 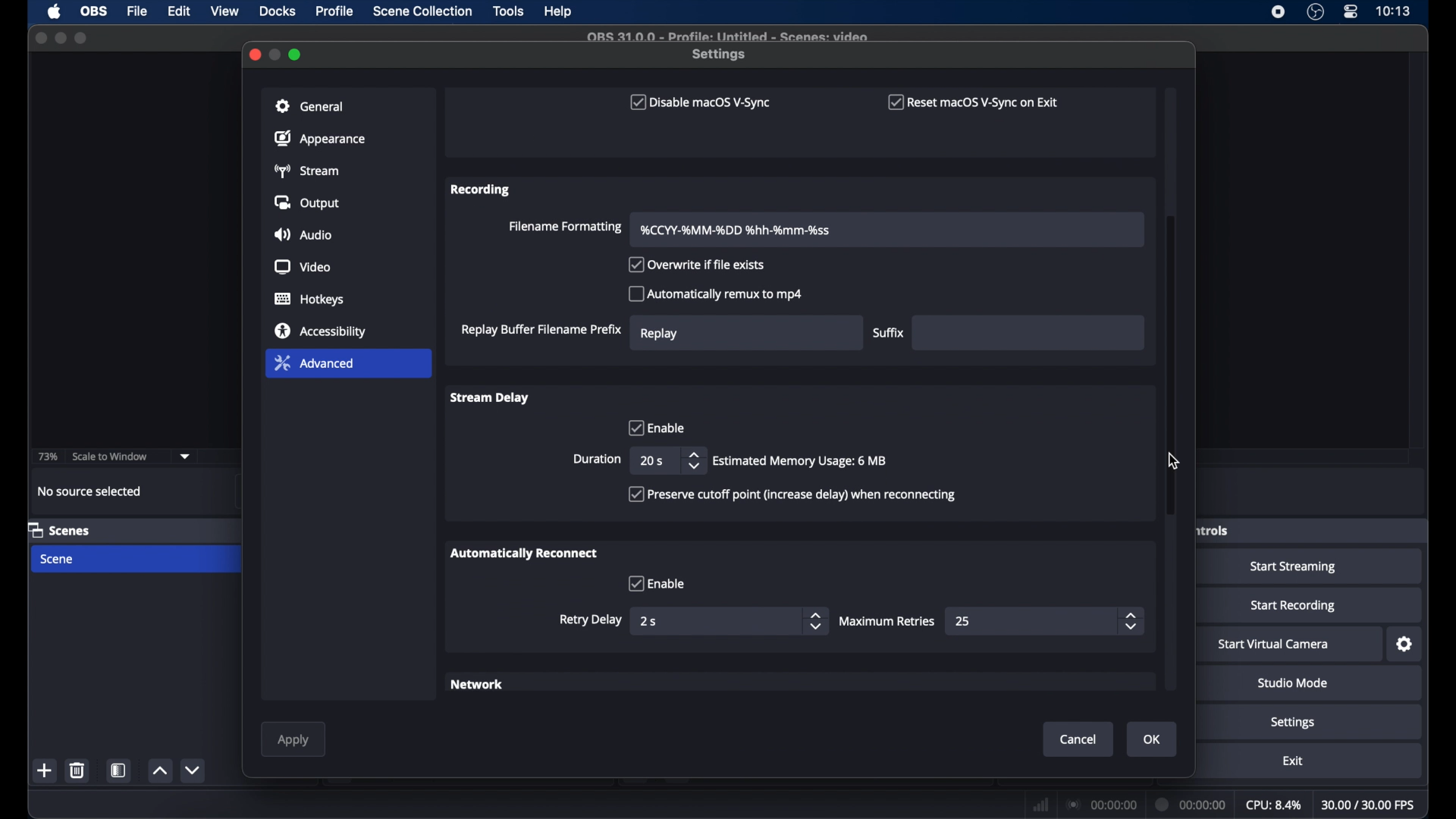 What do you see at coordinates (278, 11) in the screenshot?
I see `docks` at bounding box center [278, 11].